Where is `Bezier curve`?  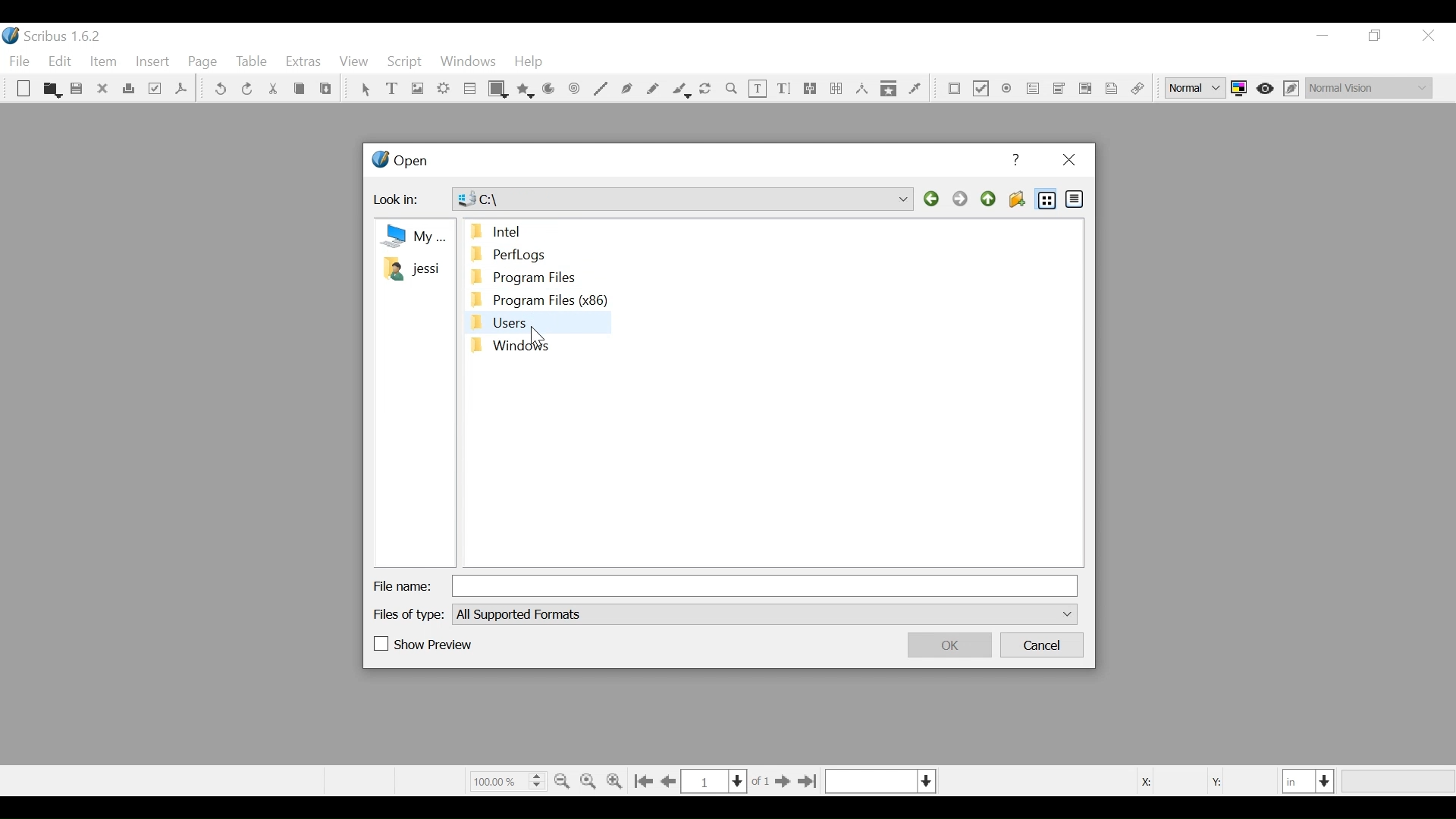 Bezier curve is located at coordinates (627, 89).